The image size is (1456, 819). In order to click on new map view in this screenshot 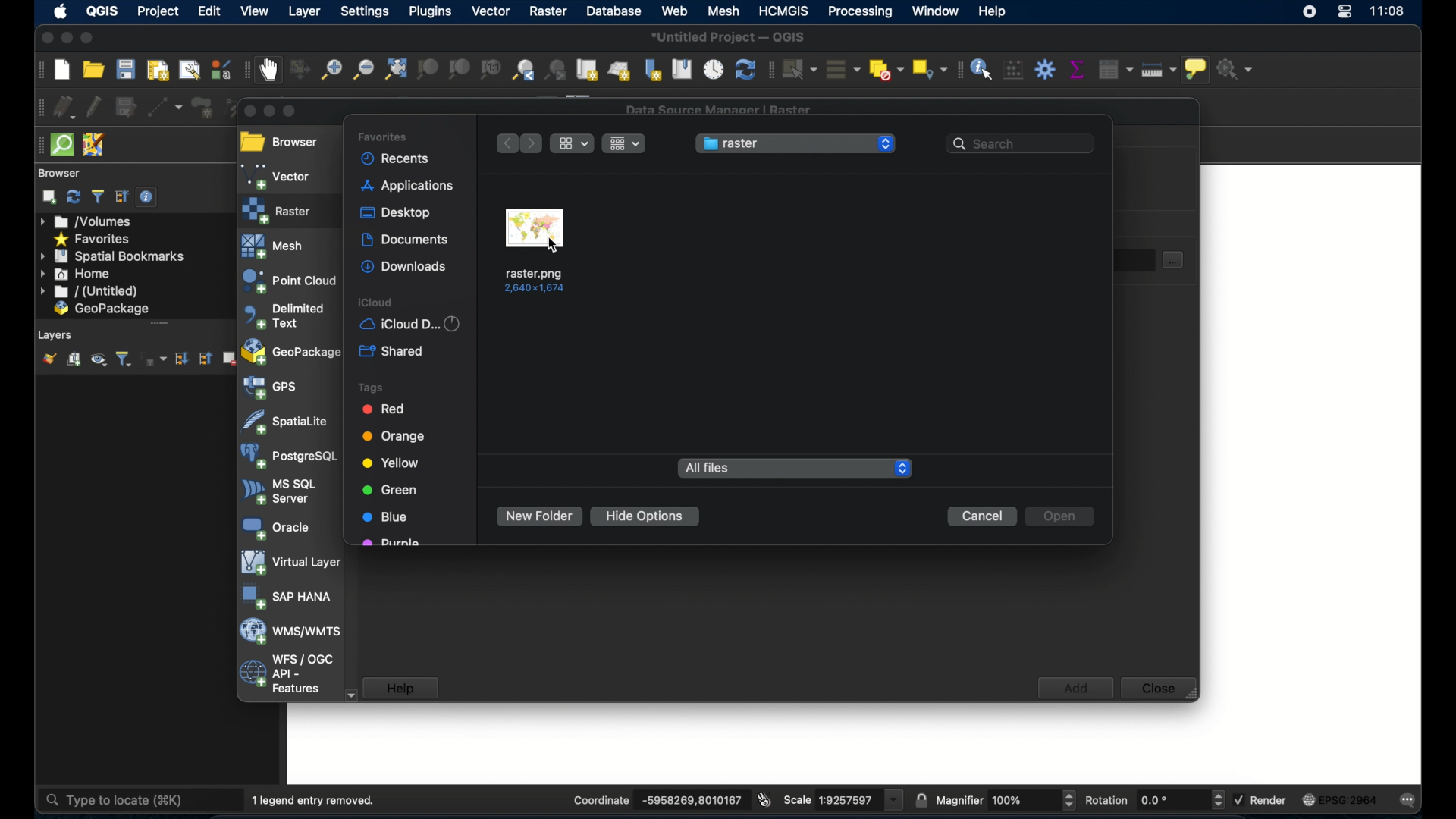, I will do `click(588, 70)`.